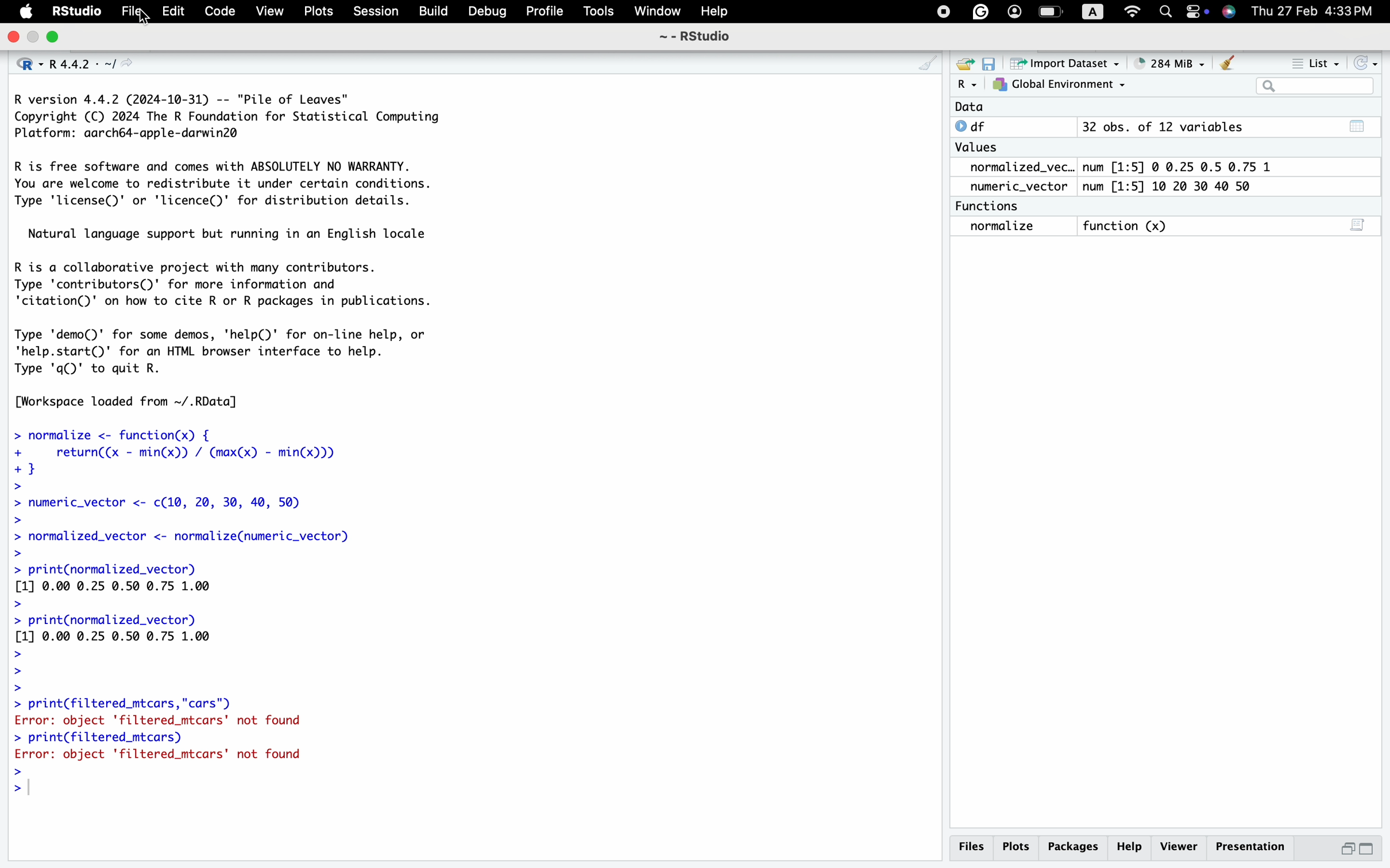  What do you see at coordinates (176, 13) in the screenshot?
I see `Edit` at bounding box center [176, 13].